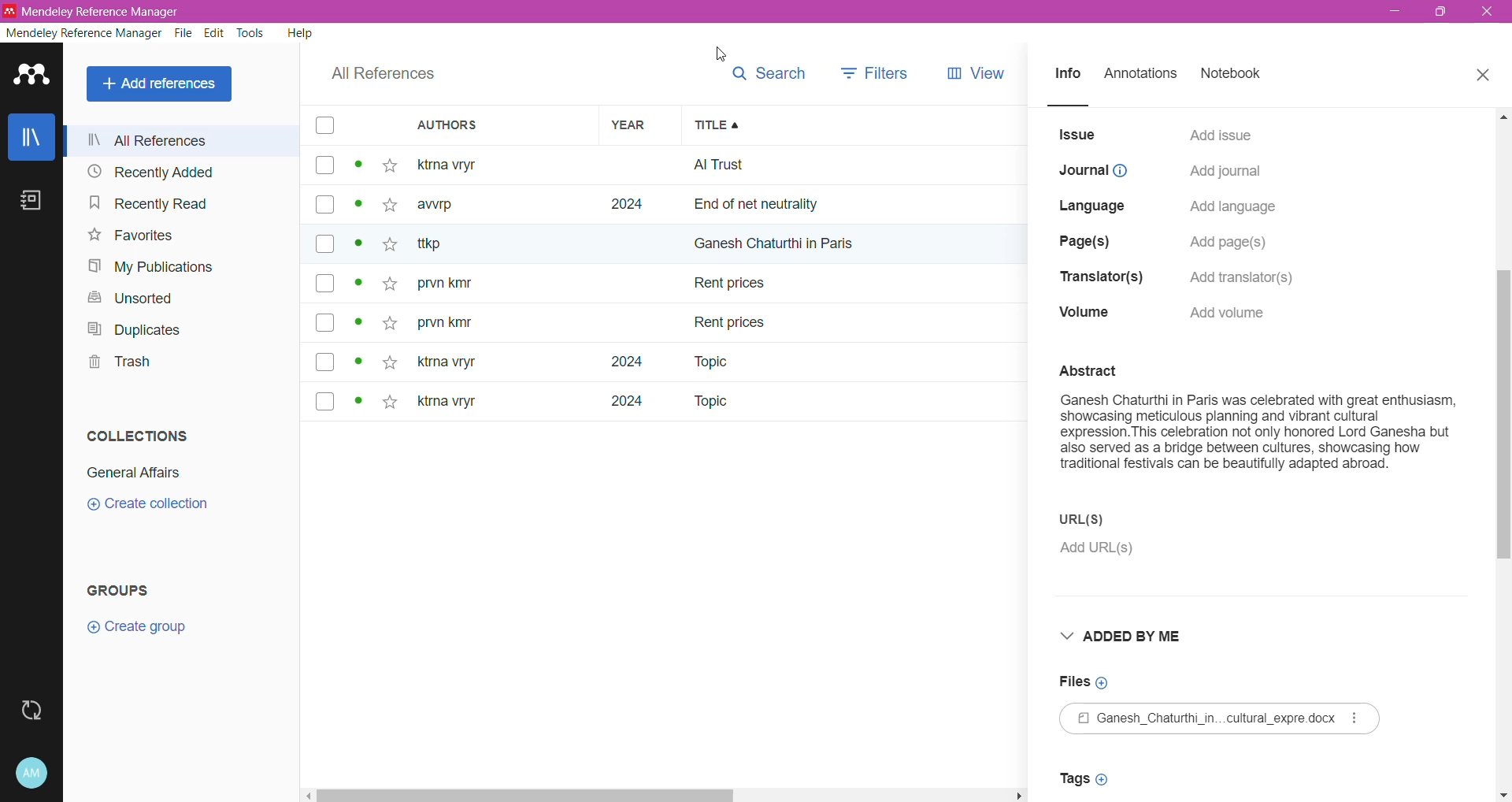 The image size is (1512, 802). I want to click on Info, so click(1068, 76).